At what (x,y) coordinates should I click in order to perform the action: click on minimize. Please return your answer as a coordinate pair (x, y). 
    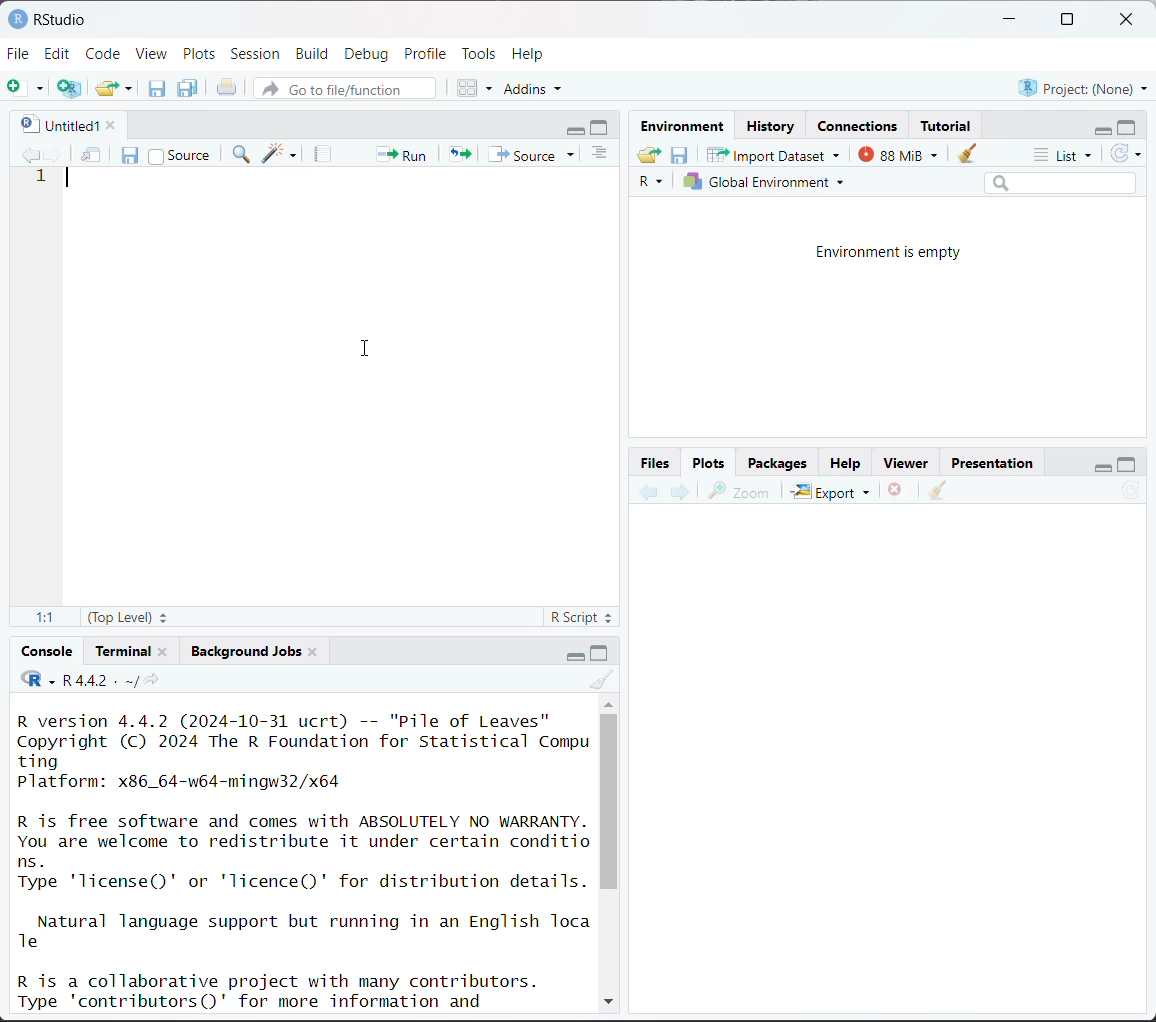
    Looking at the image, I should click on (1099, 128).